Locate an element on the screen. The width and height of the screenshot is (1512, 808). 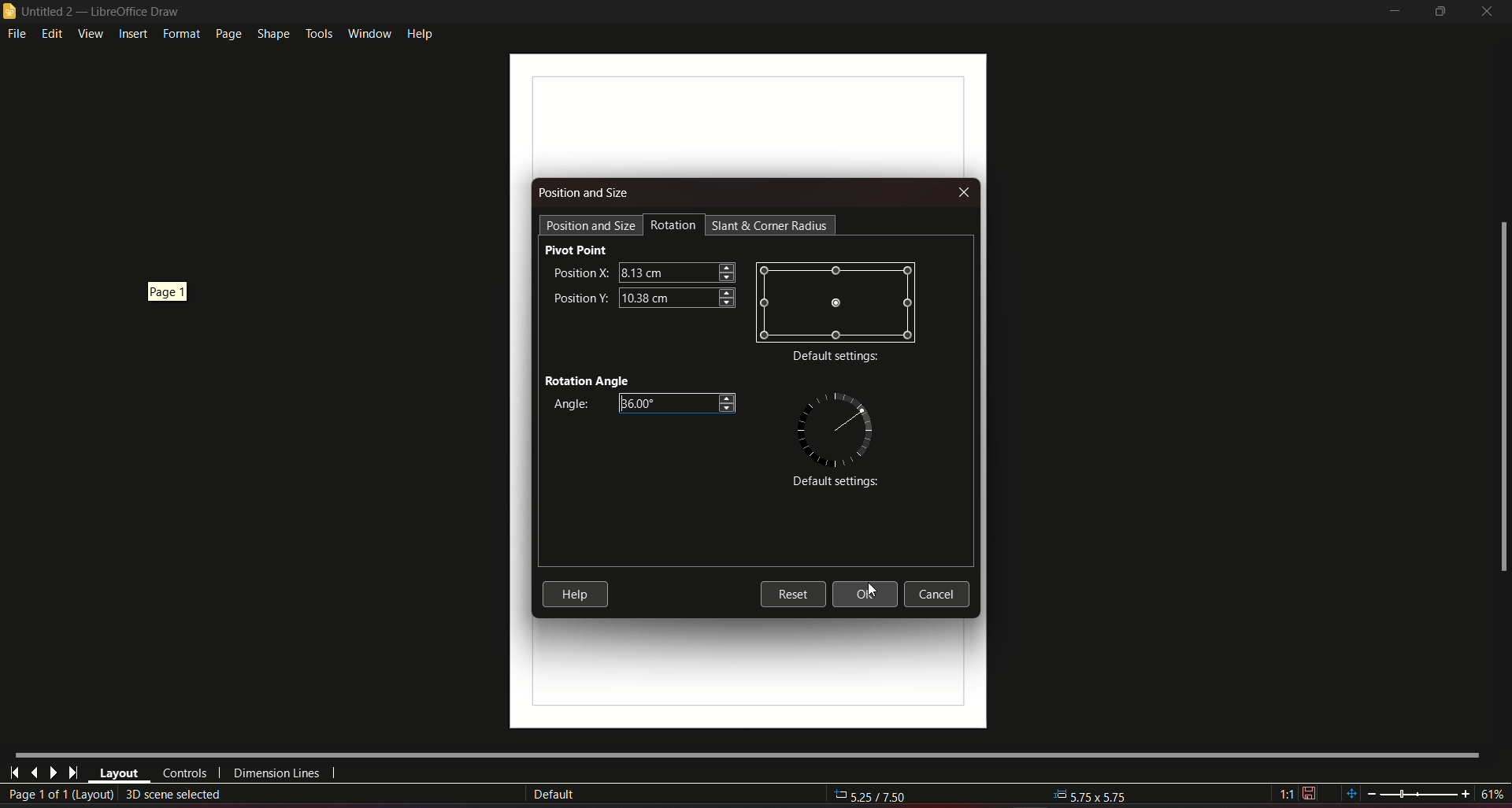
Angle is located at coordinates (568, 405).